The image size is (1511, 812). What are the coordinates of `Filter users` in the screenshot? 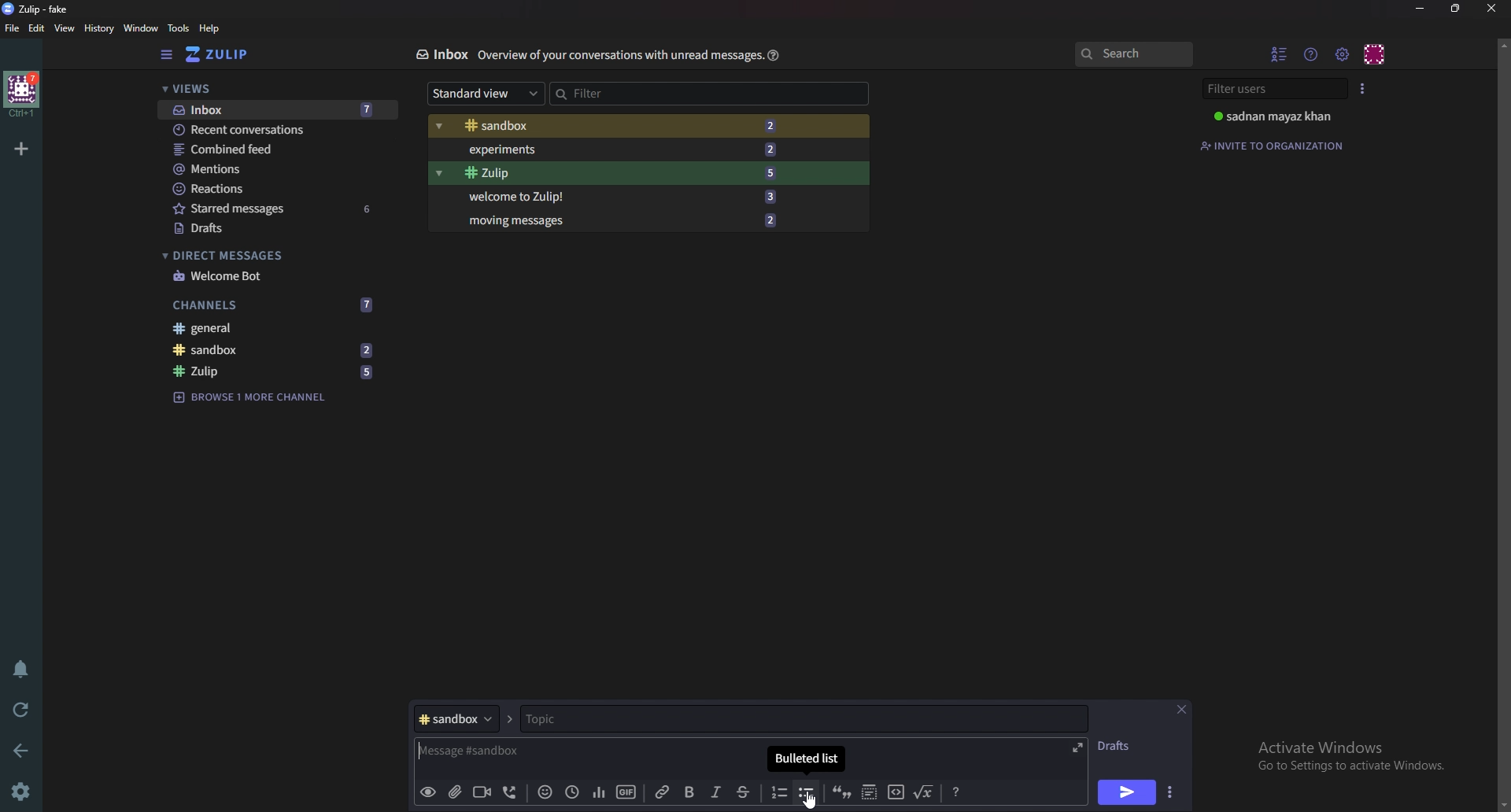 It's located at (1277, 89).